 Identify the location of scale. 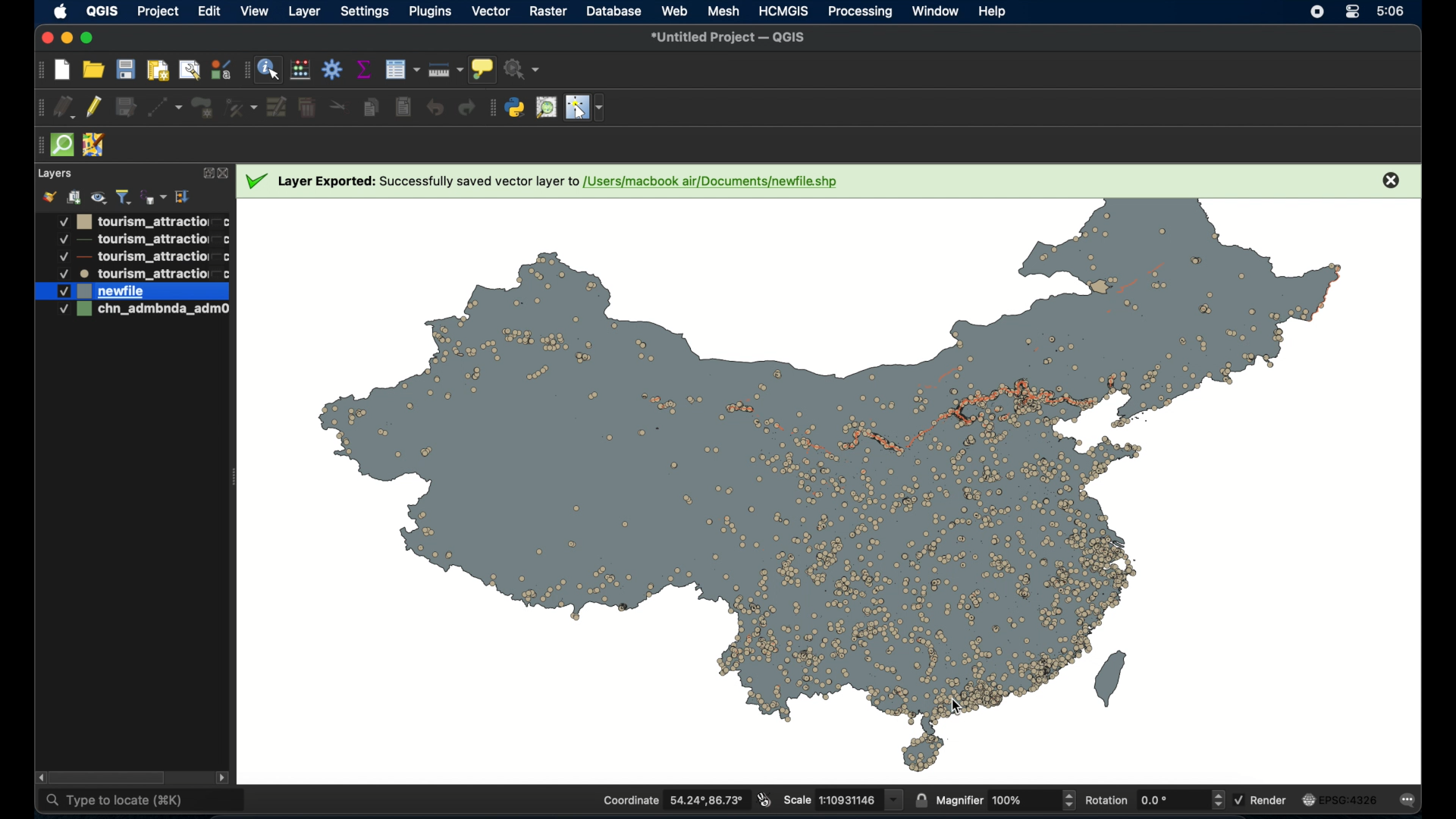
(843, 799).